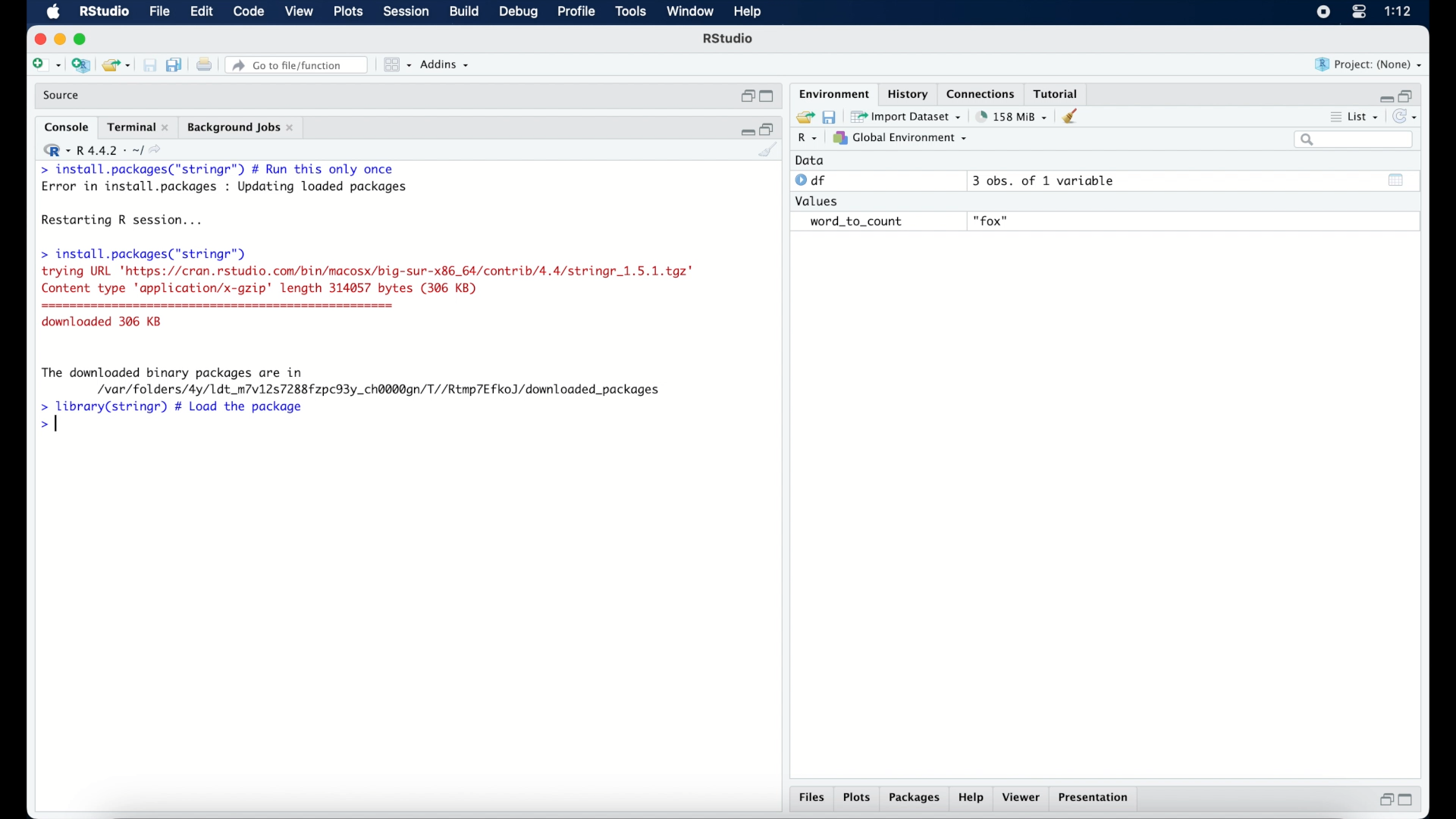  What do you see at coordinates (854, 222) in the screenshot?
I see `word_to_count` at bounding box center [854, 222].